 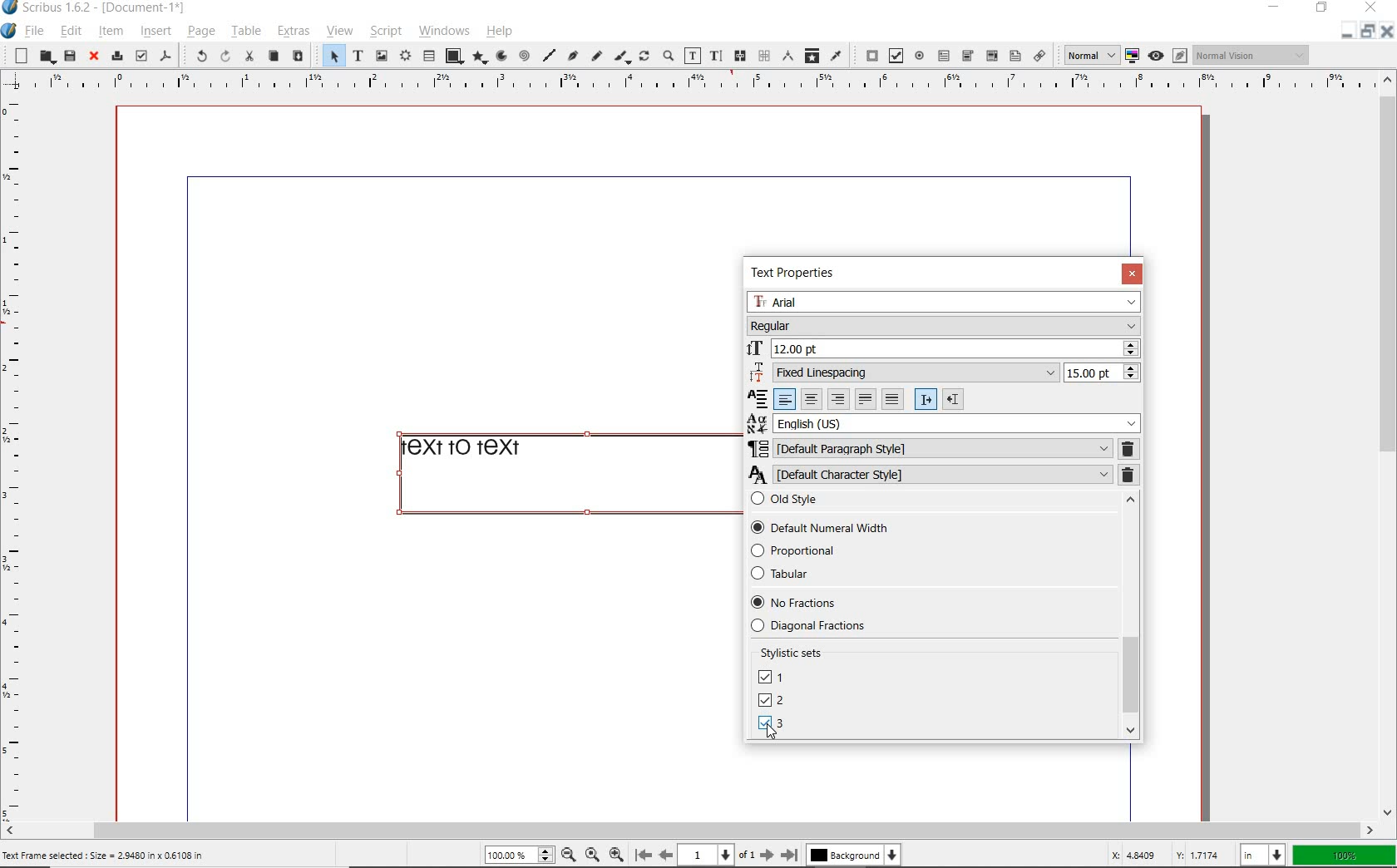 I want to click on file, so click(x=35, y=32).